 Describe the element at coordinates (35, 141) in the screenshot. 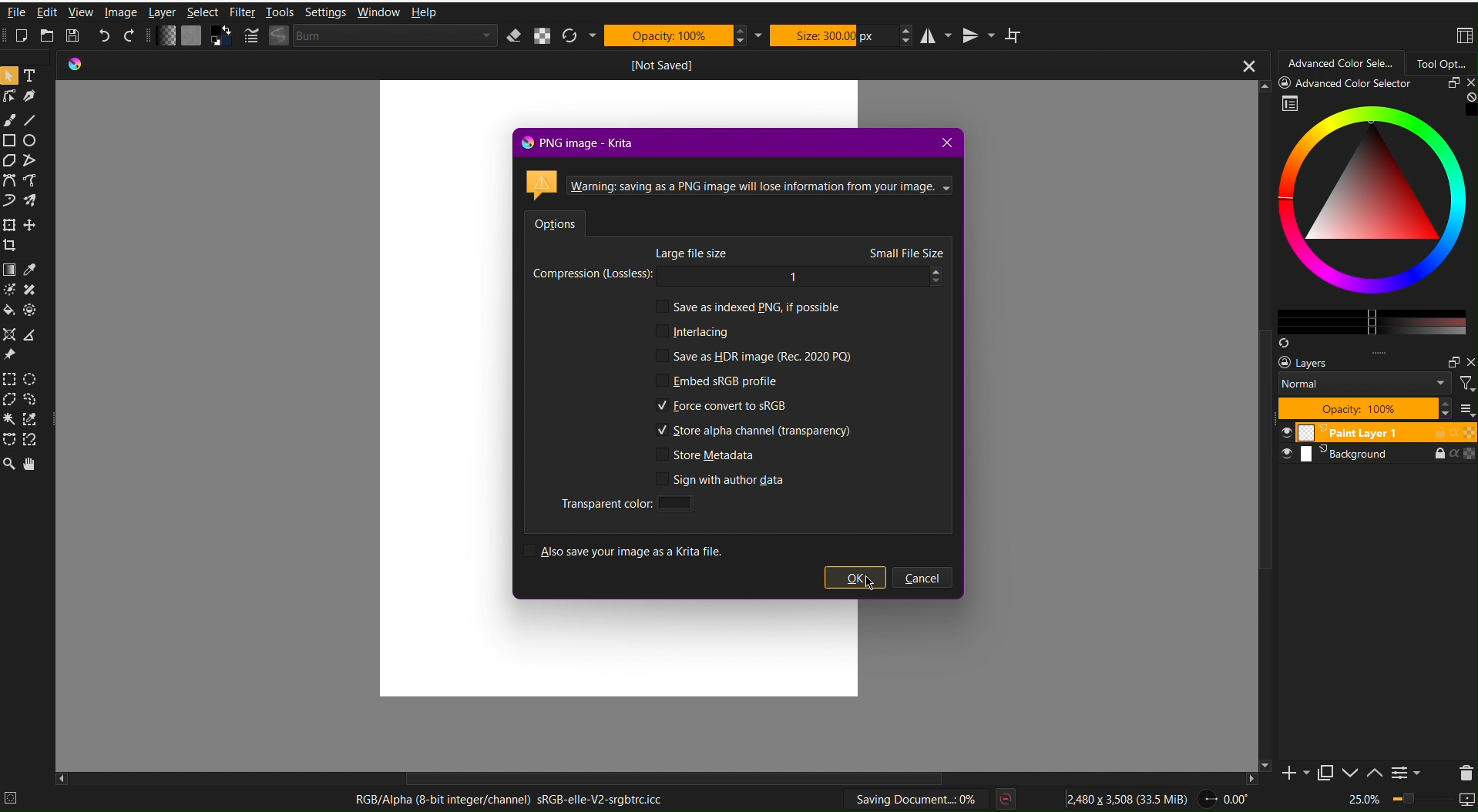

I see `Circle` at that location.